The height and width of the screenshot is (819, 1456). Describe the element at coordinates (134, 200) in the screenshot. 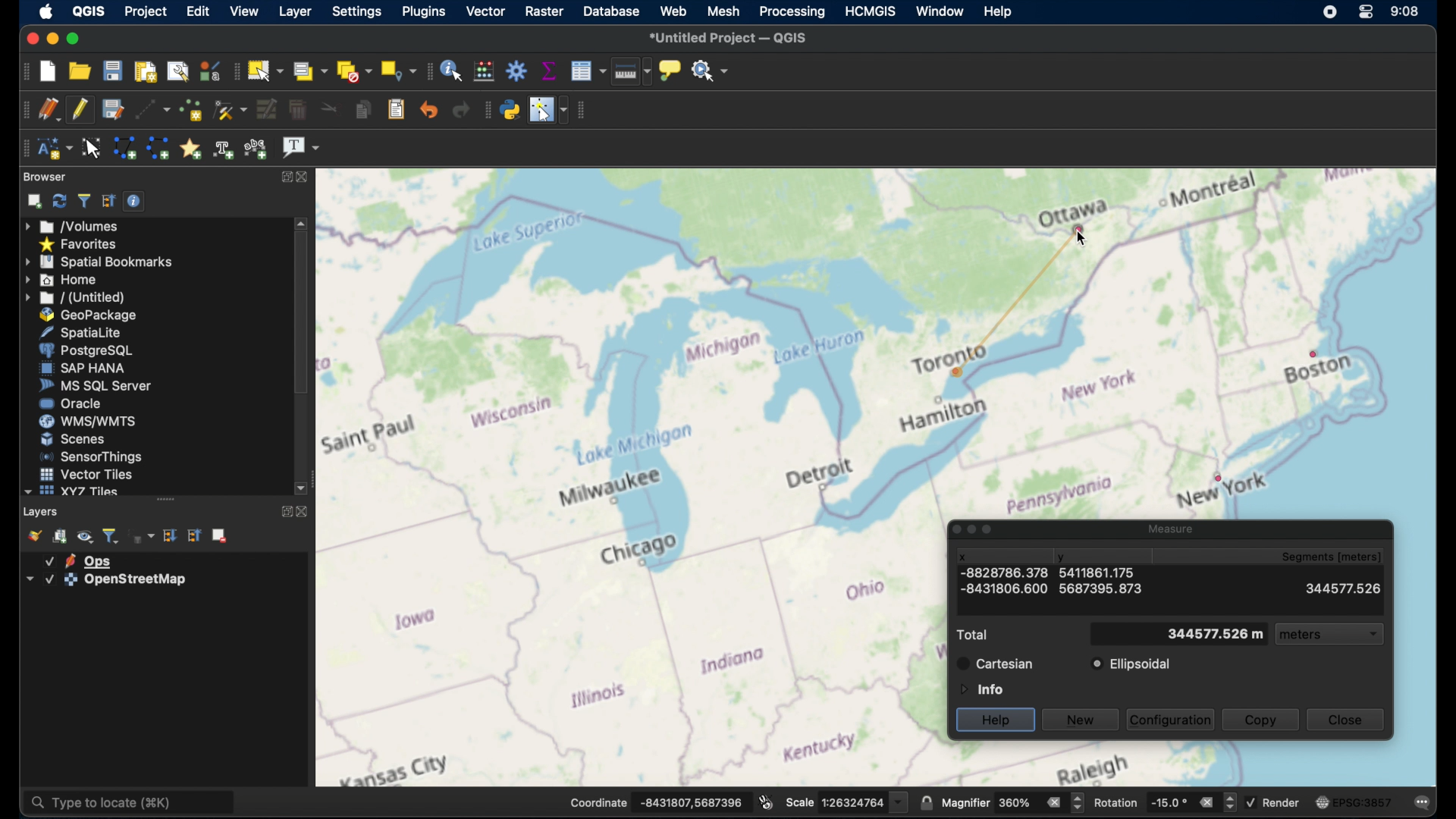

I see `enable/disable properties widget` at that location.